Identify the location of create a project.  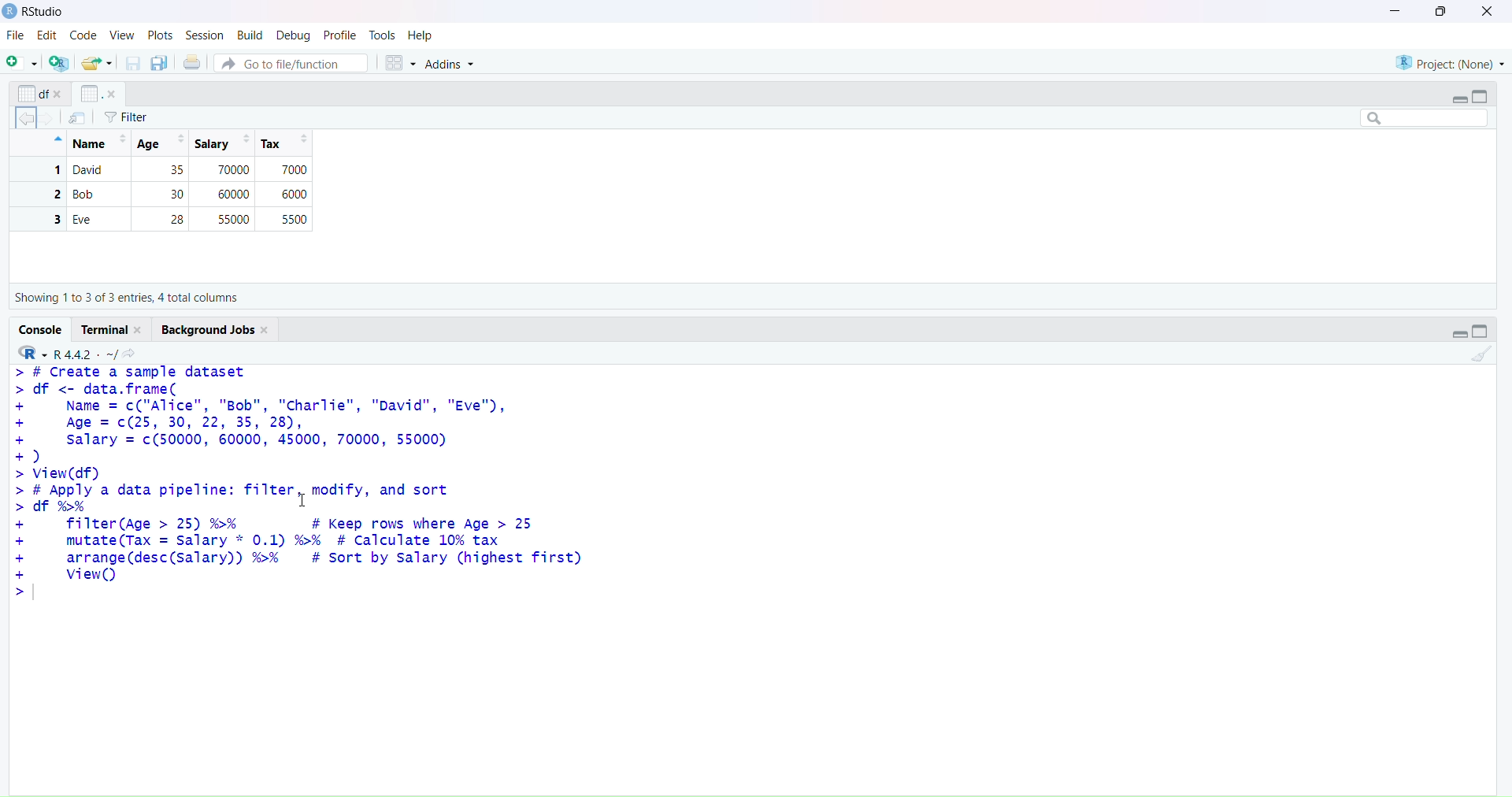
(59, 63).